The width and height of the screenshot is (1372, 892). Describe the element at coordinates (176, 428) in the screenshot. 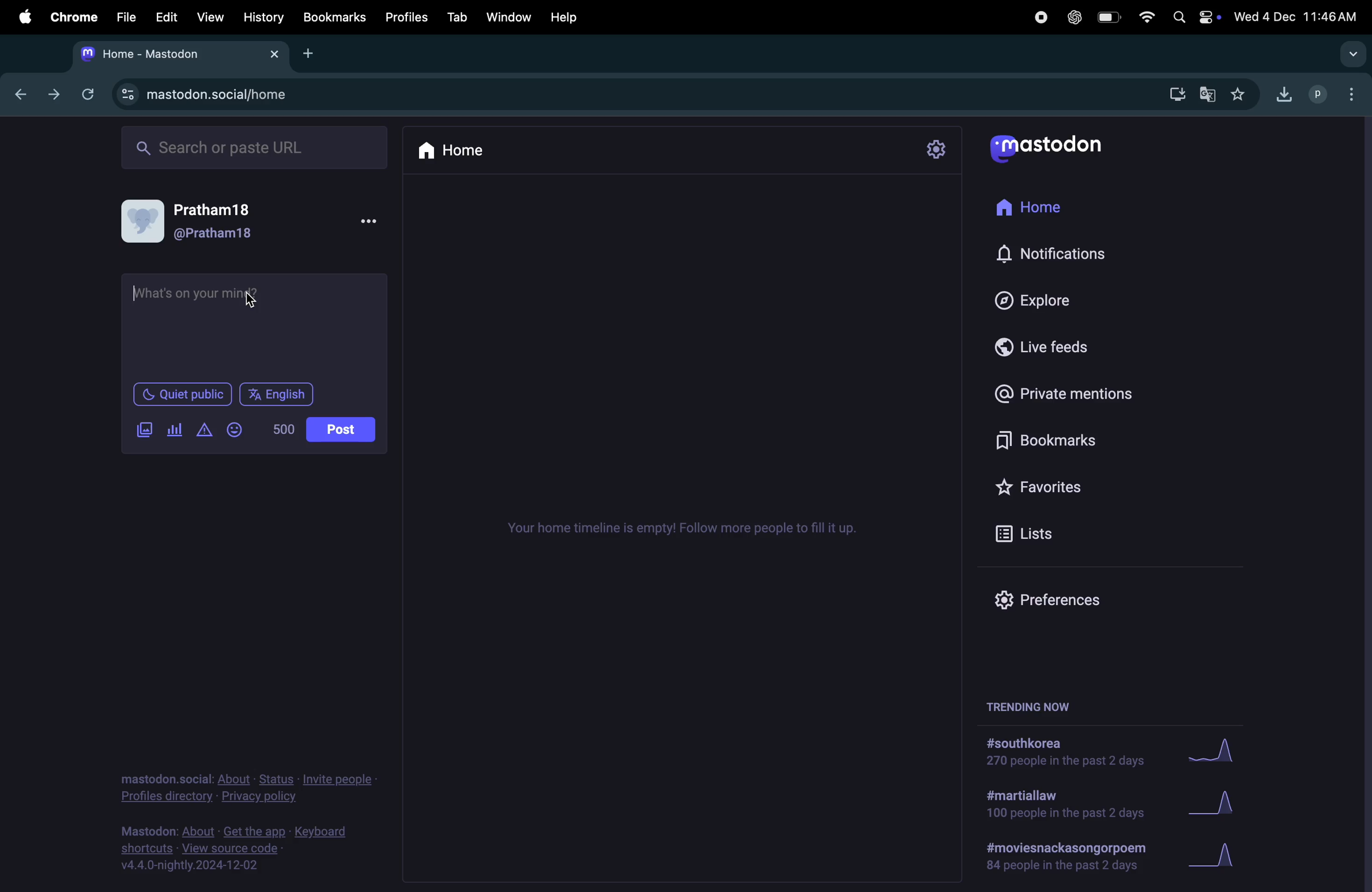

I see `add poll` at that location.